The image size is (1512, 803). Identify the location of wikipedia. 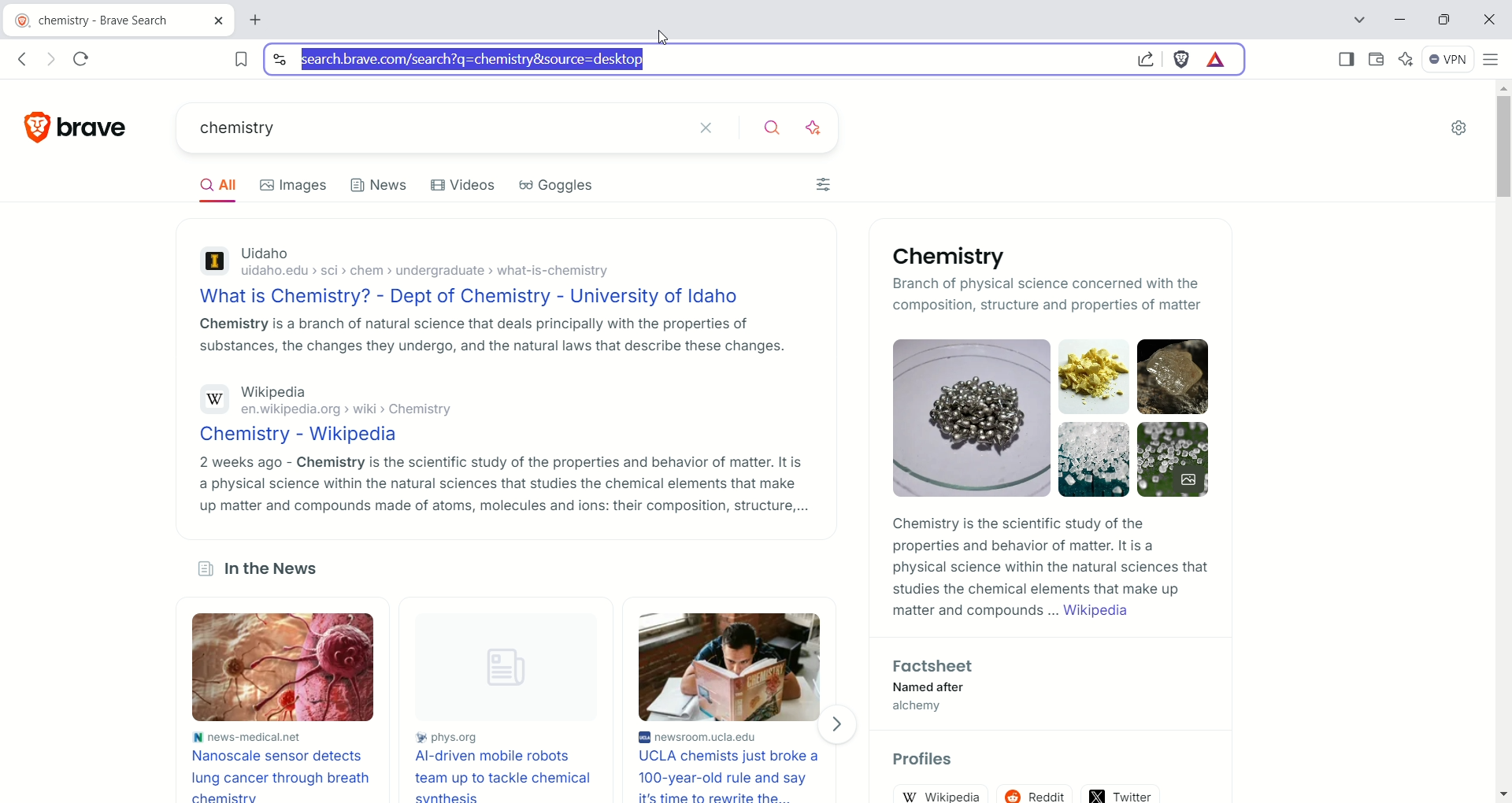
(939, 793).